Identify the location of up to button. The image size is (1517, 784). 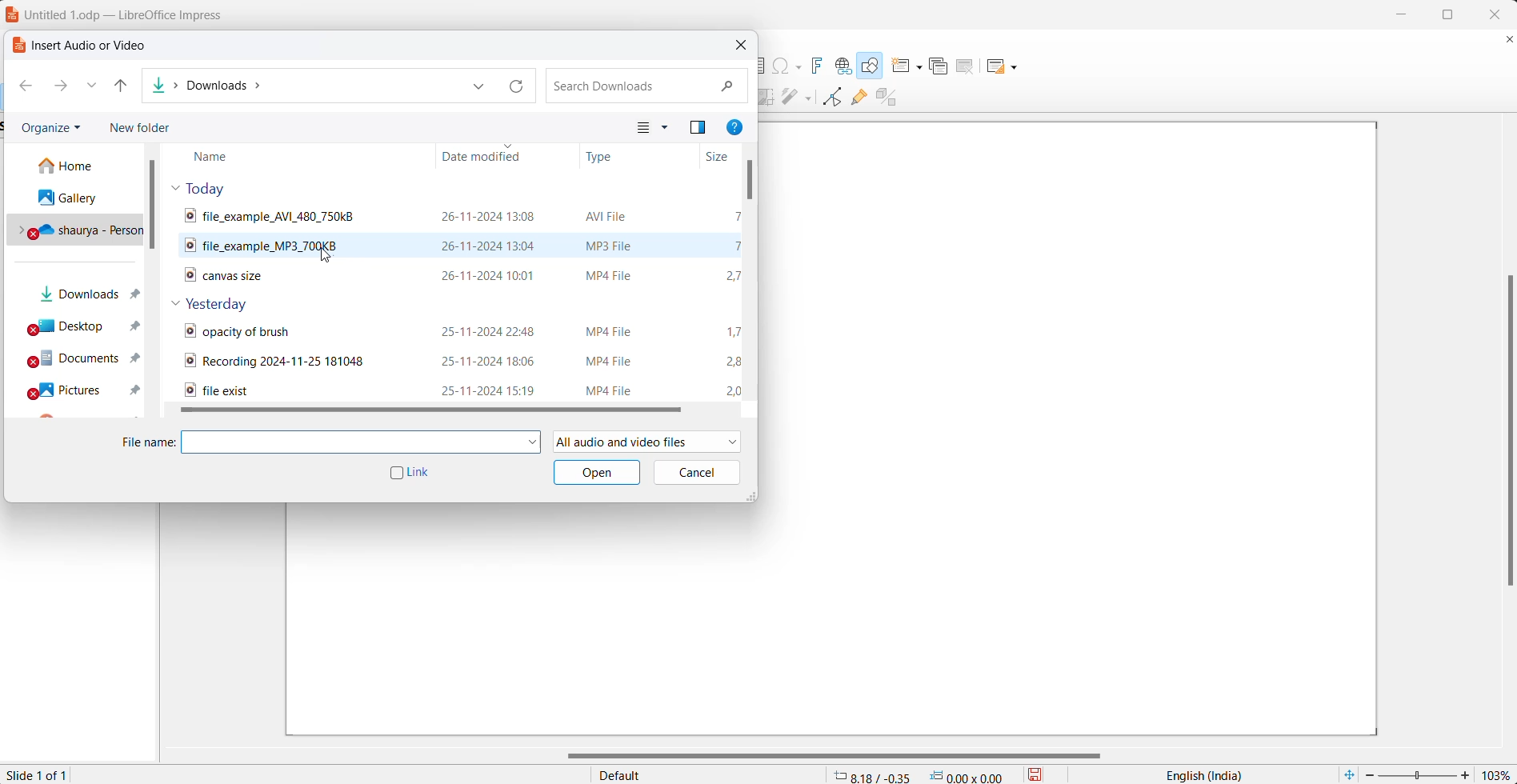
(123, 90).